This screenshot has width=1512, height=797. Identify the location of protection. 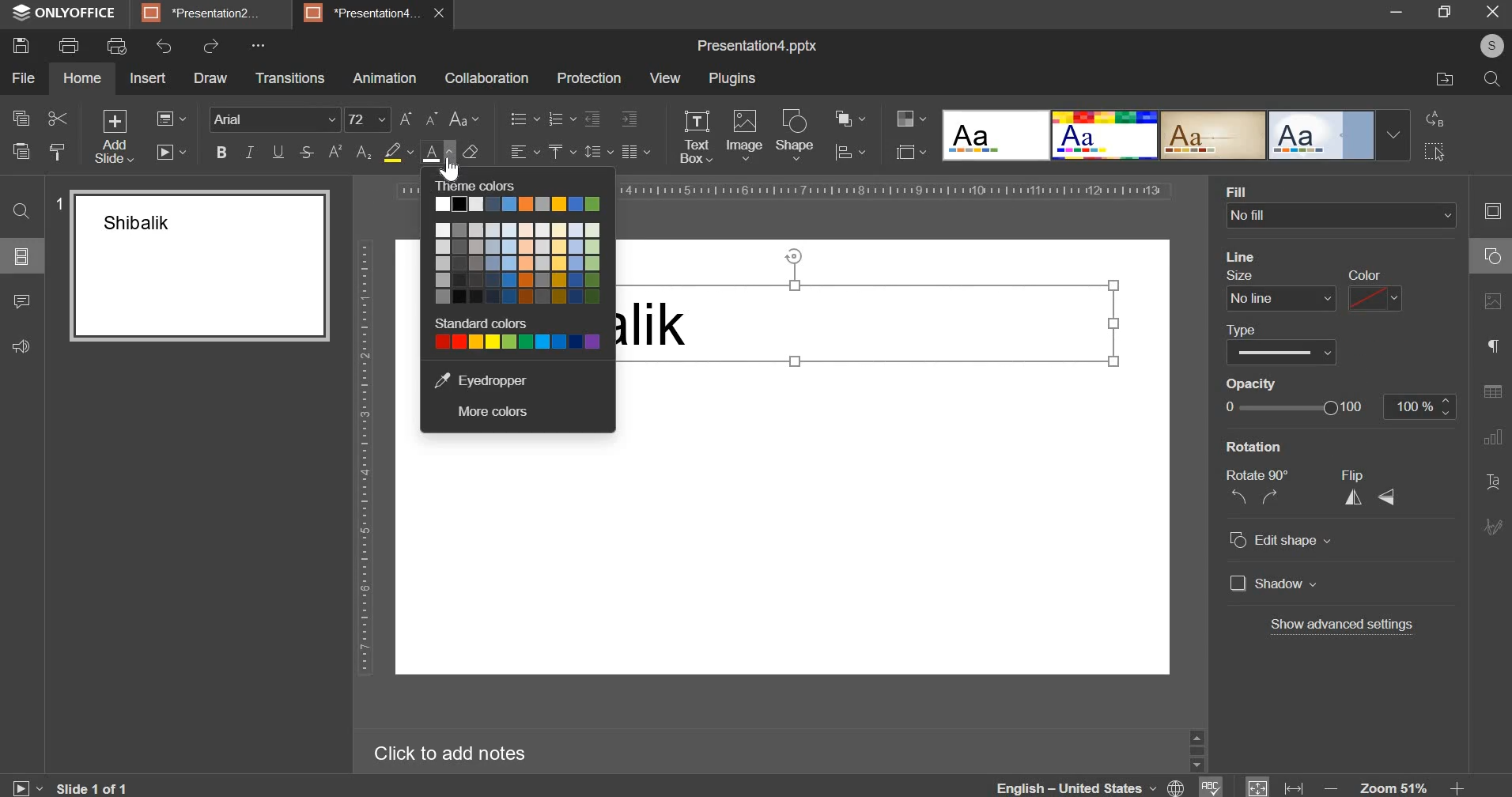
(589, 78).